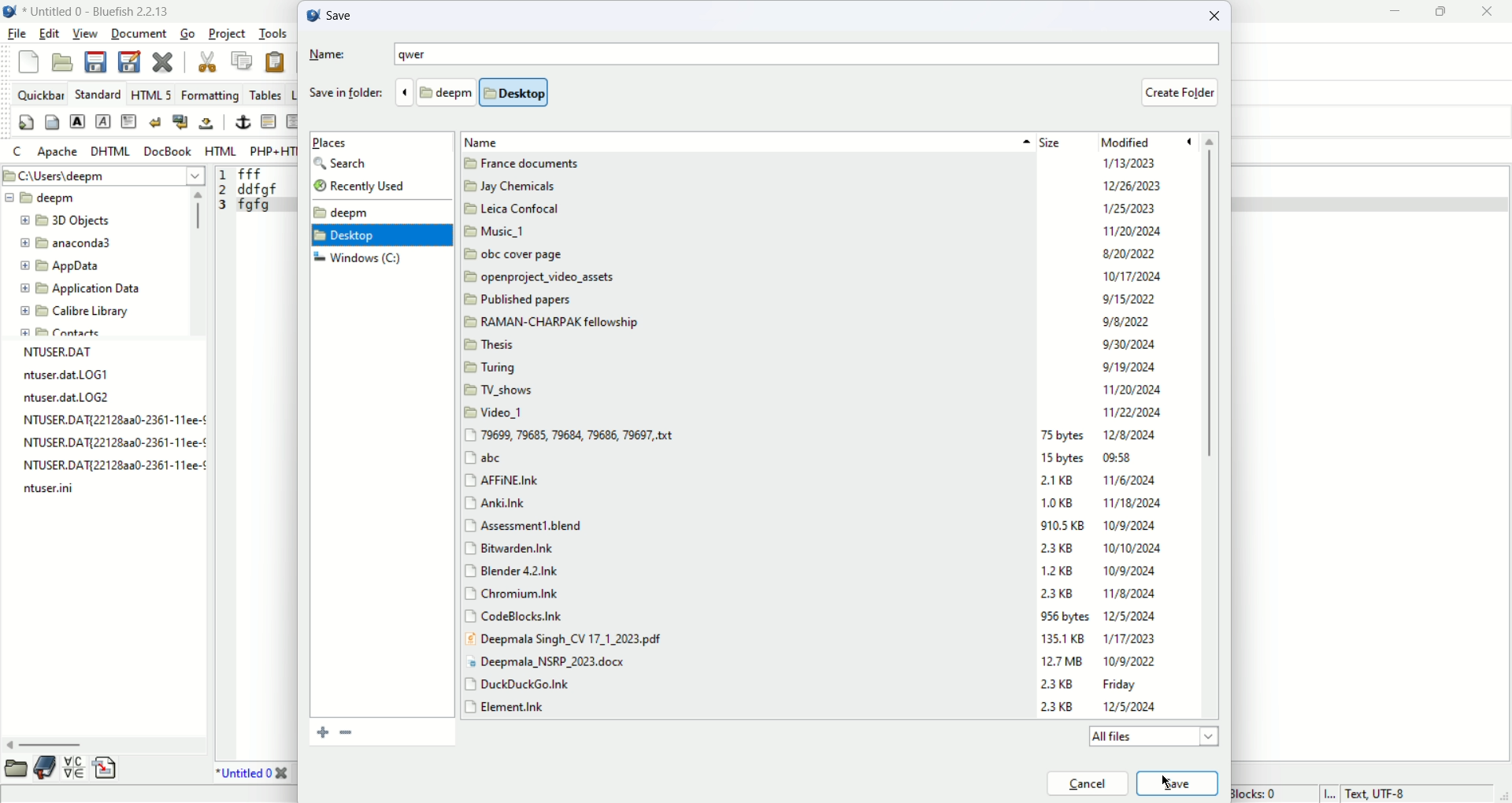  What do you see at coordinates (1443, 13) in the screenshot?
I see `maximize` at bounding box center [1443, 13].